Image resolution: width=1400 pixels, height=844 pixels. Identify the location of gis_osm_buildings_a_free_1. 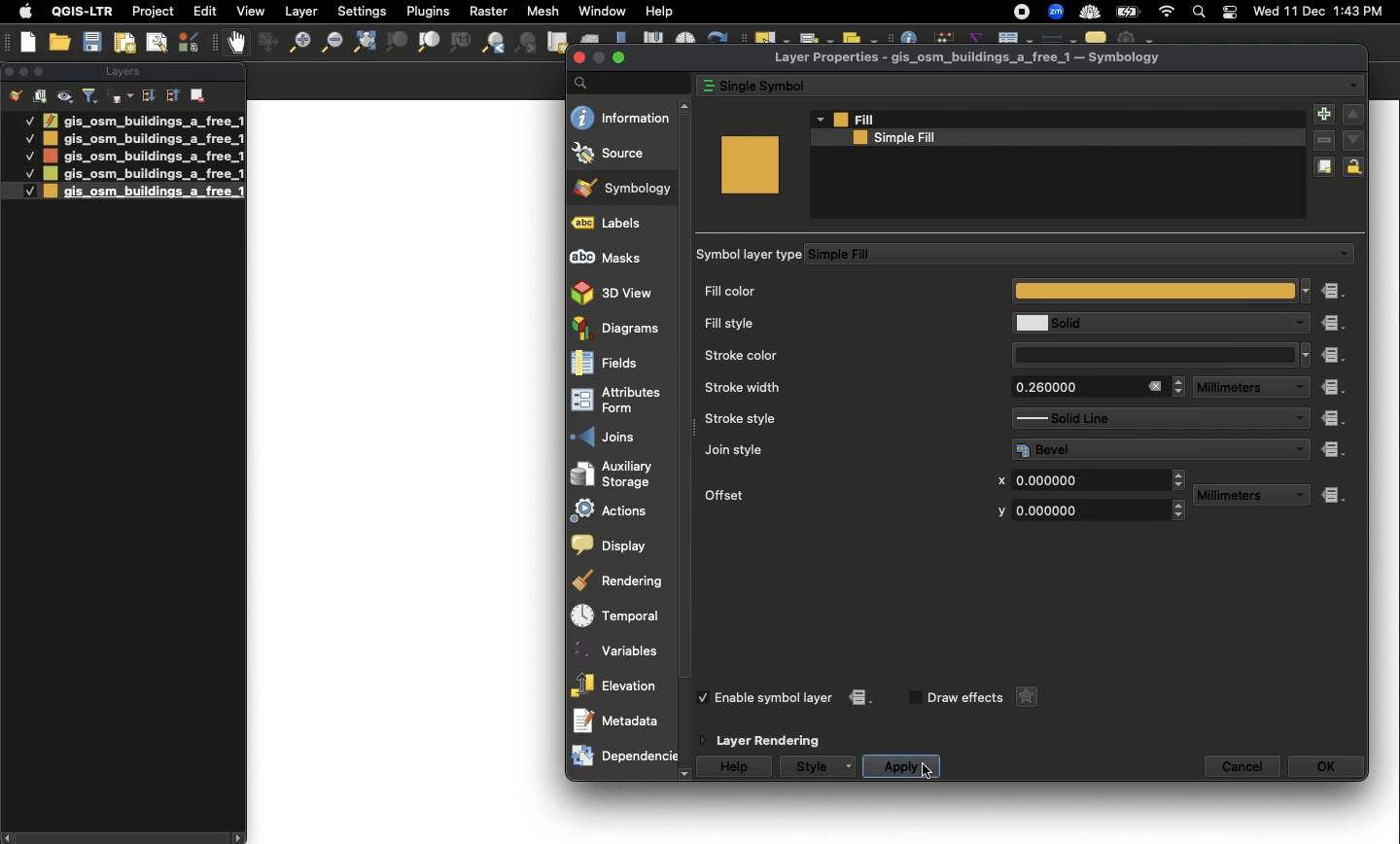
(144, 139).